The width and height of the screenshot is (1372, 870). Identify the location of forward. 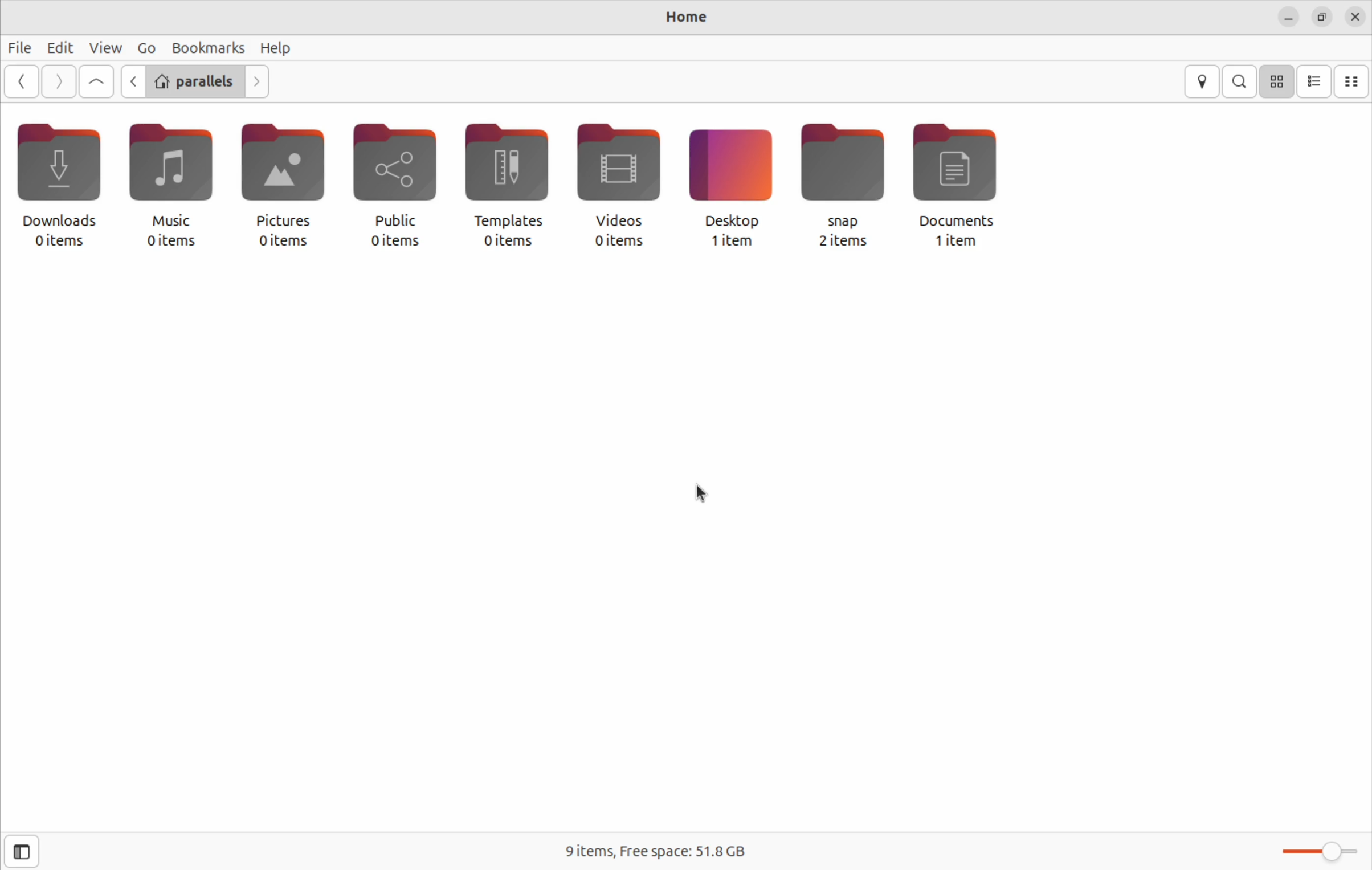
(256, 83).